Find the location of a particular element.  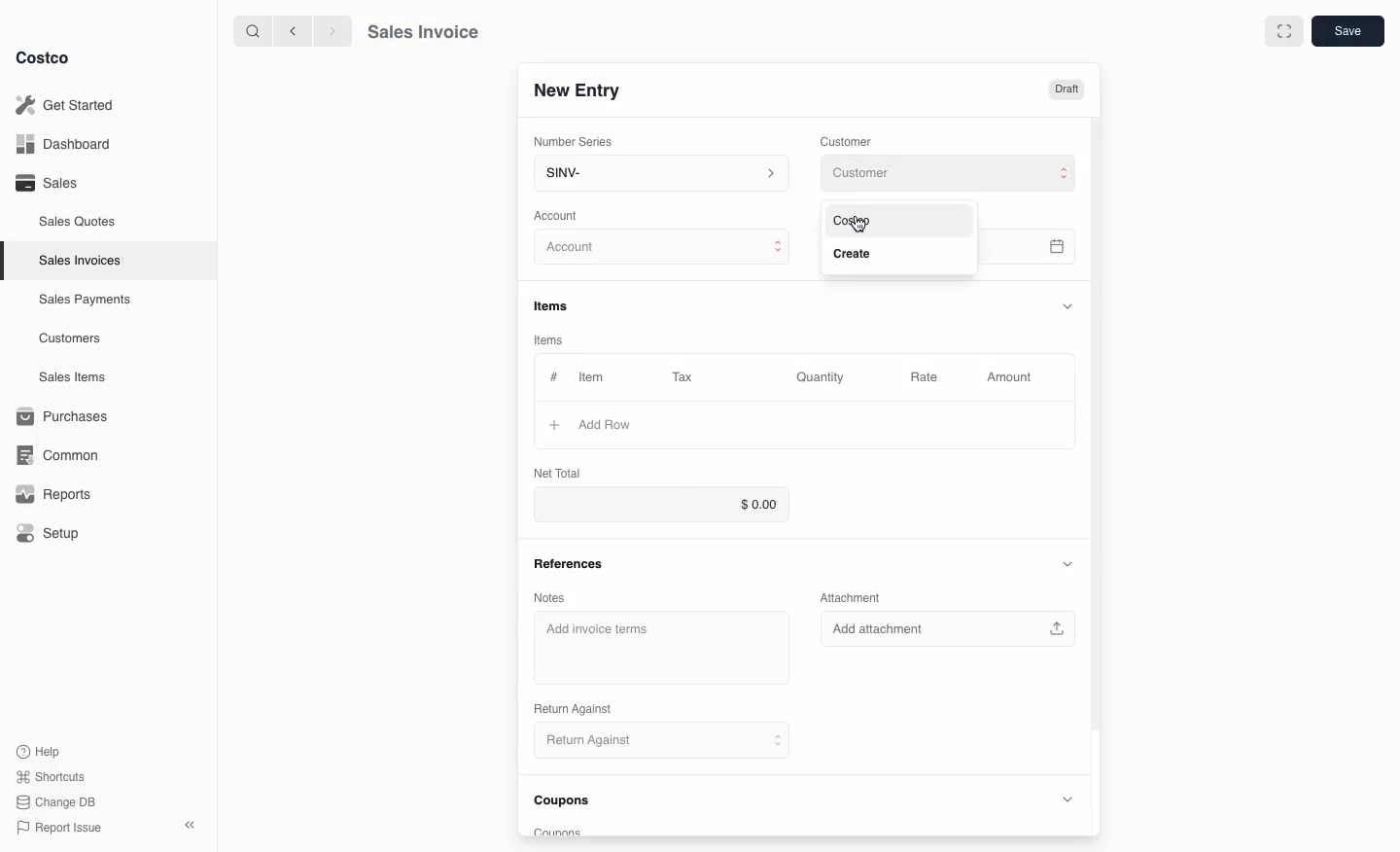

Hide is located at coordinates (1066, 564).